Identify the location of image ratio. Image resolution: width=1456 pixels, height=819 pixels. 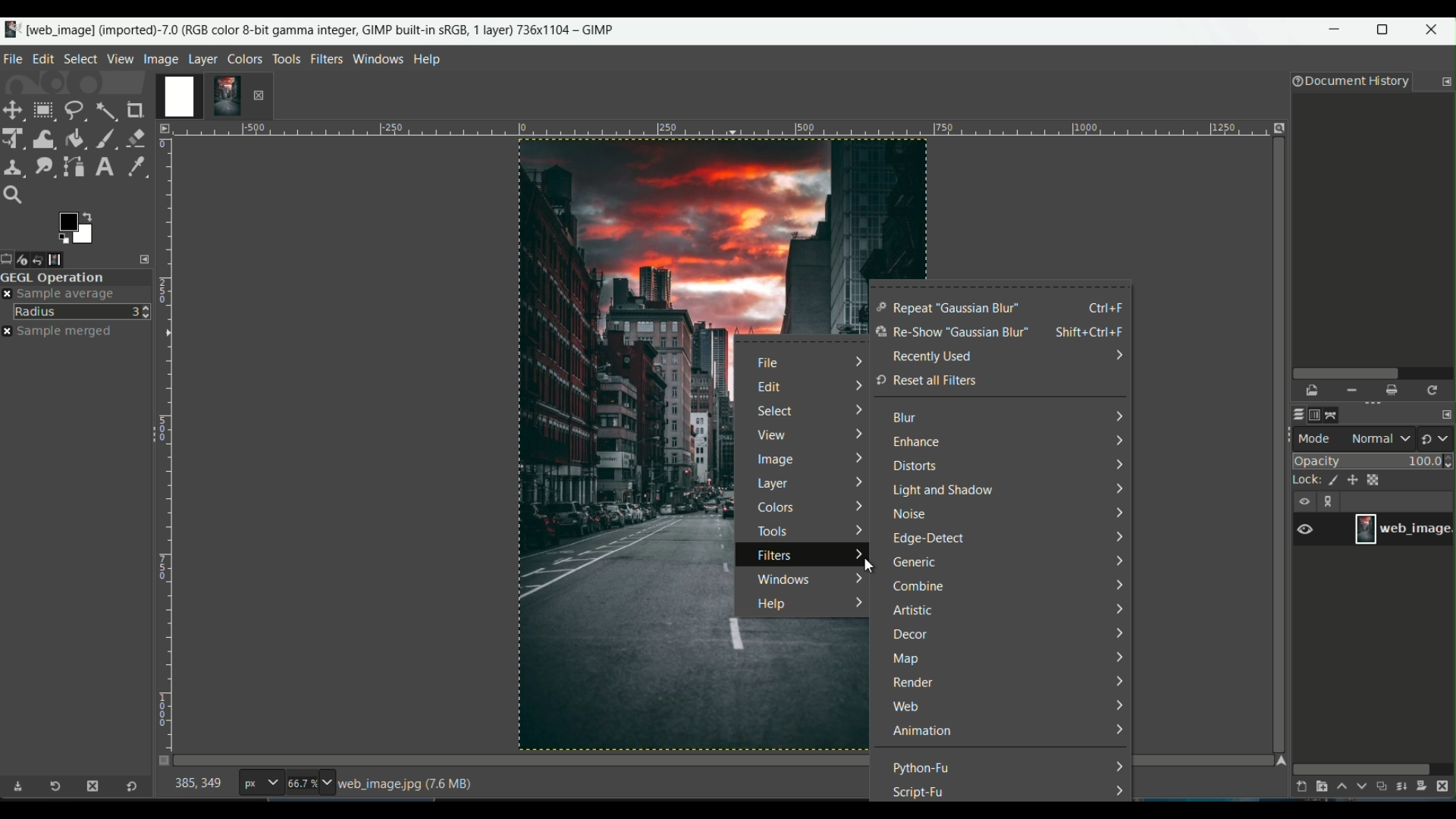
(309, 785).